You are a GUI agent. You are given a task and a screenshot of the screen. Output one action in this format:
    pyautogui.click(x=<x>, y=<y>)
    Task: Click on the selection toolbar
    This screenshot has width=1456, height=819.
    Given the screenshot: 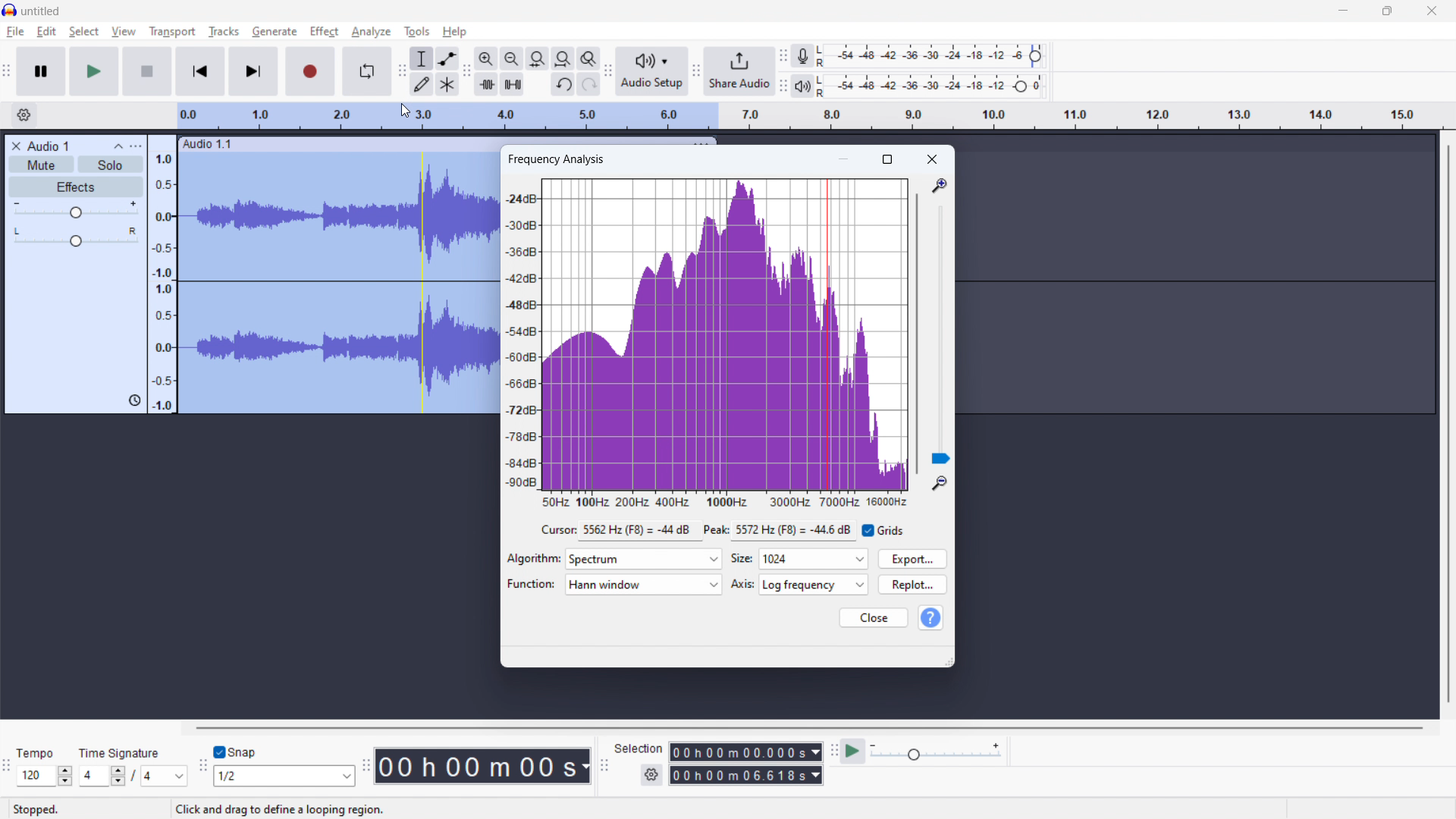 What is the action you would take?
    pyautogui.click(x=604, y=767)
    